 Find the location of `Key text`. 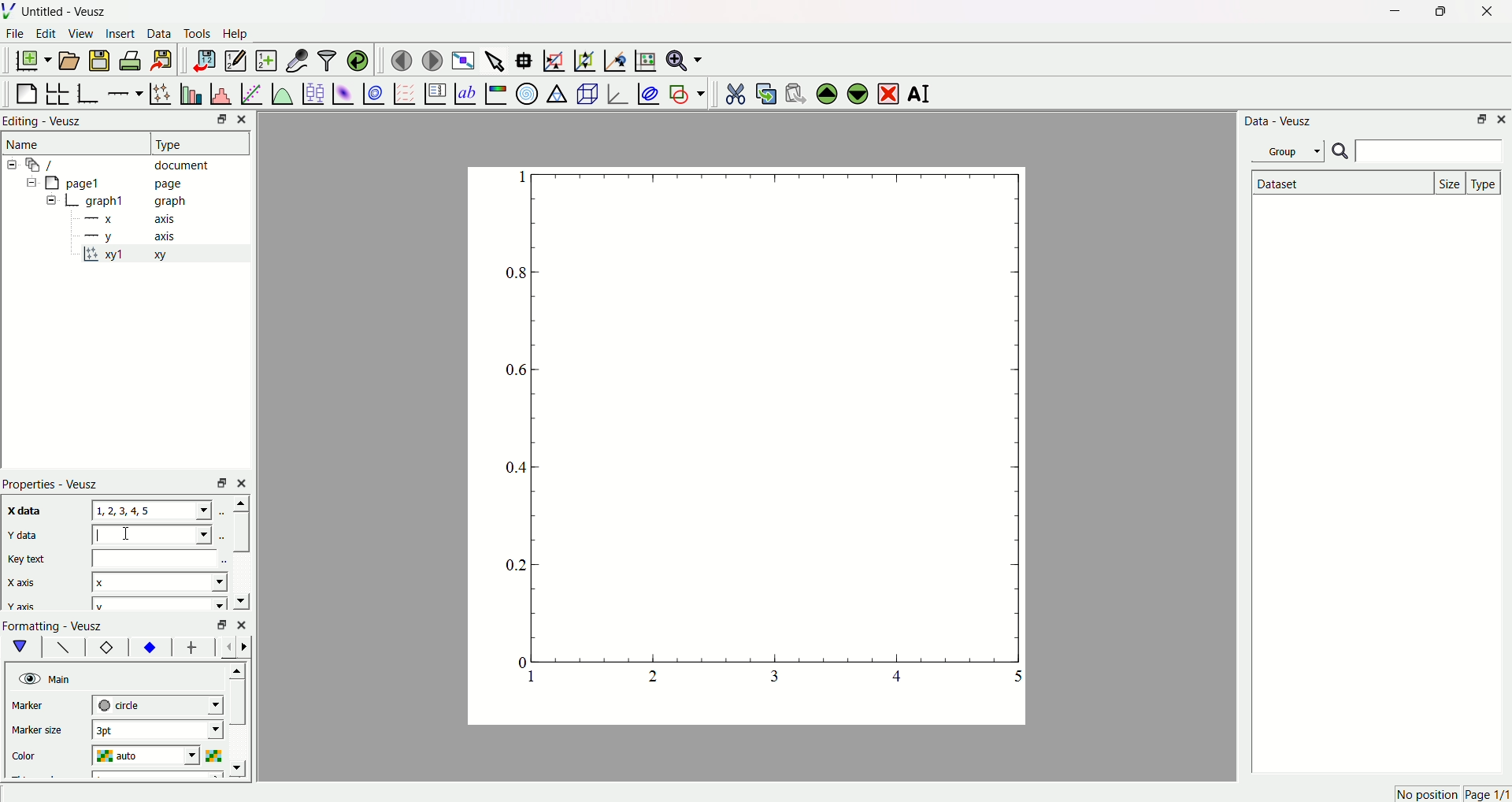

Key text is located at coordinates (28, 559).